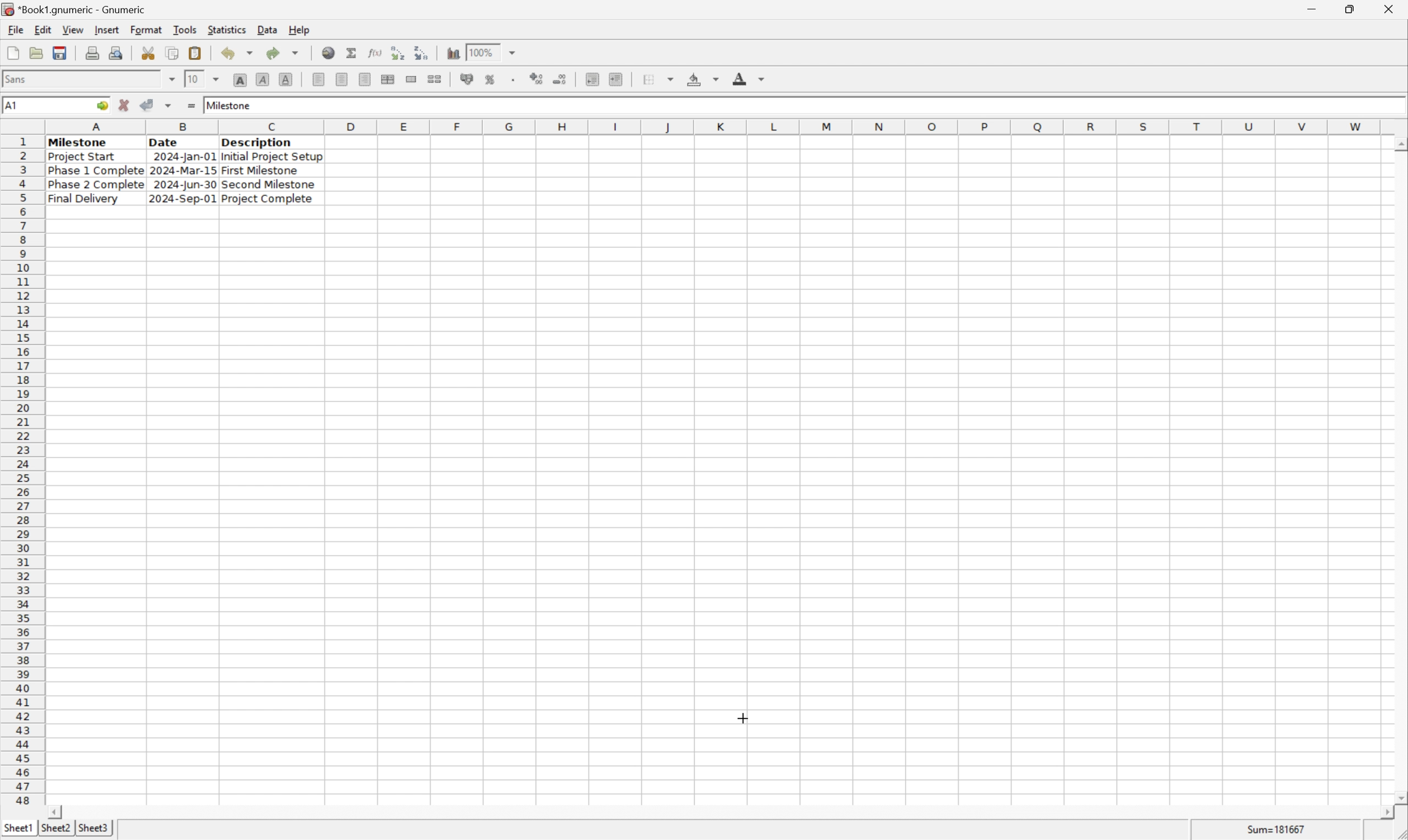 This screenshot has height=840, width=1408. What do you see at coordinates (1390, 7) in the screenshot?
I see `close` at bounding box center [1390, 7].